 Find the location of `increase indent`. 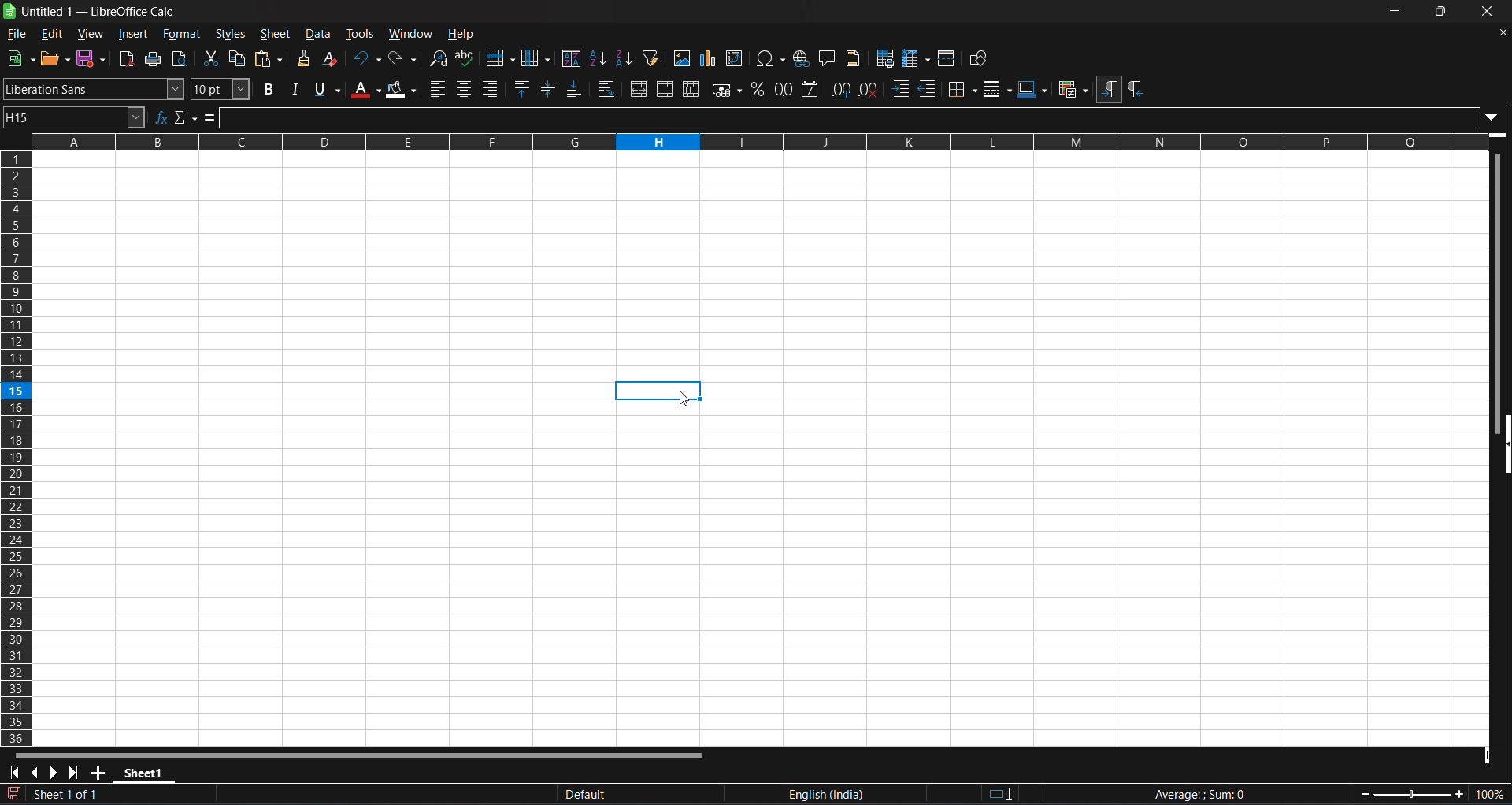

increase indent is located at coordinates (900, 88).